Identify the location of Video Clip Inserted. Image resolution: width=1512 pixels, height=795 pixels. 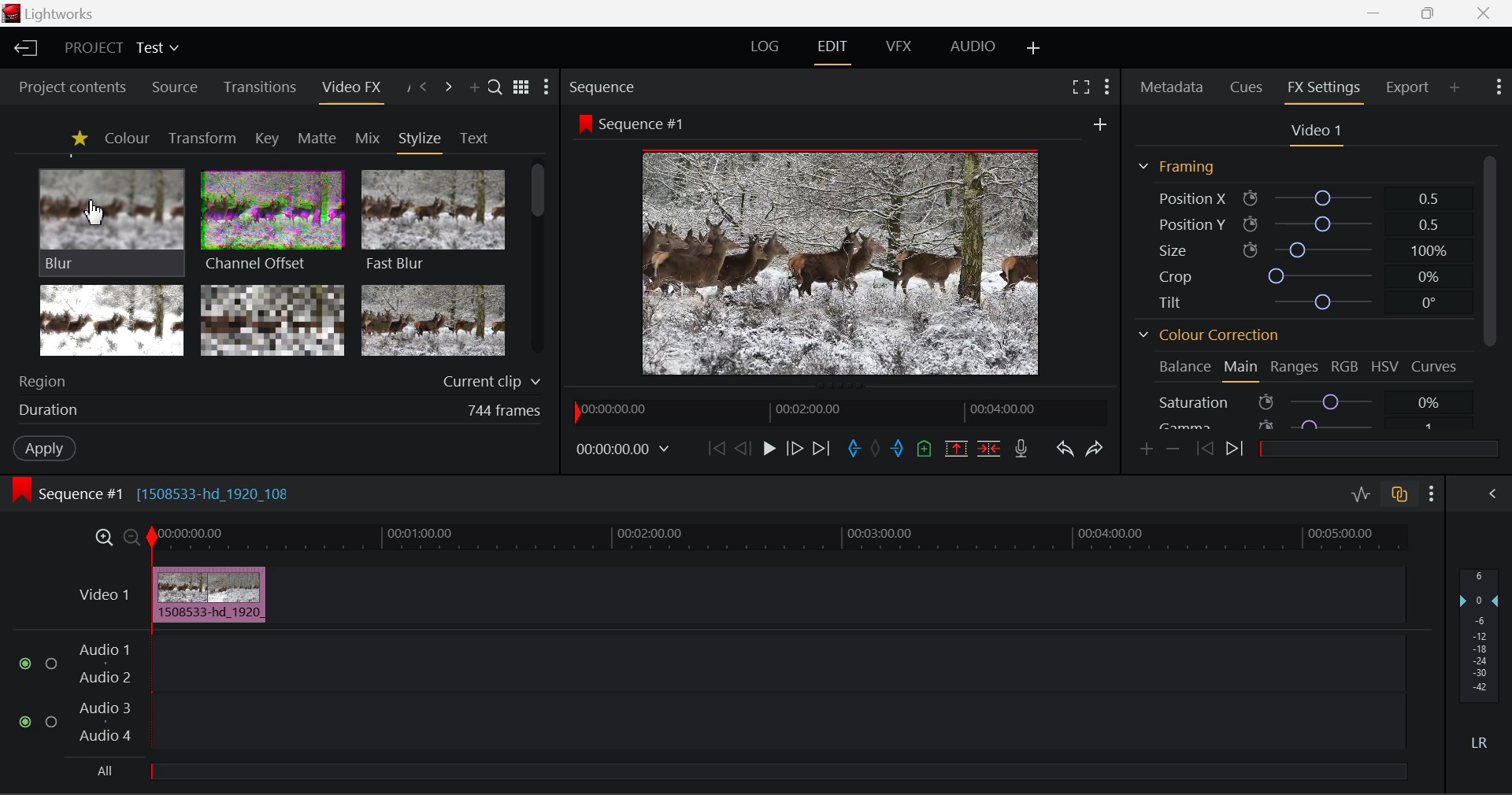
(209, 594).